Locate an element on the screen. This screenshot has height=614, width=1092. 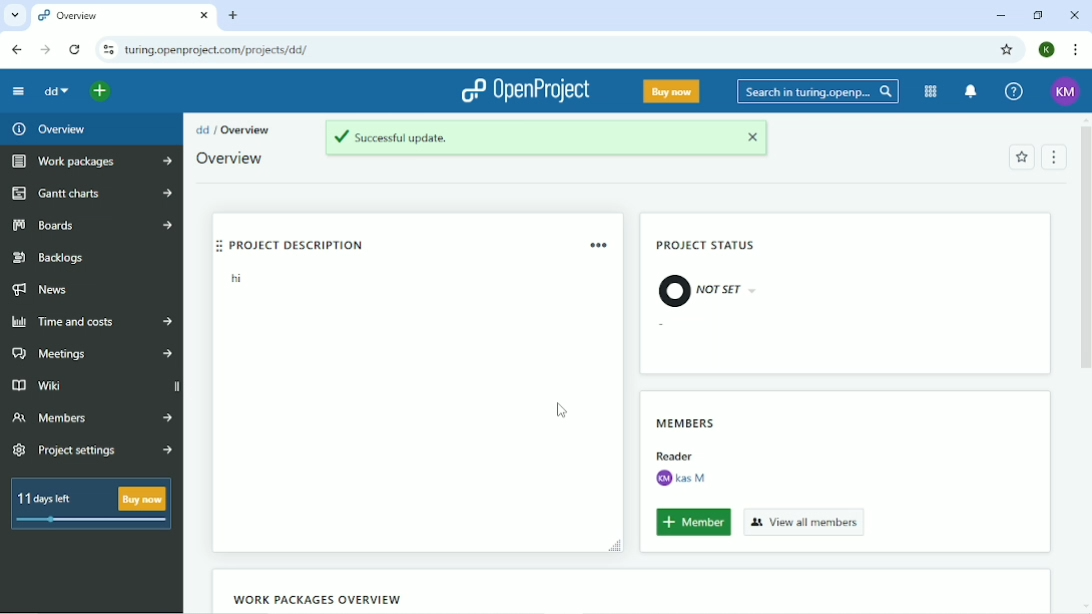
Wiki is located at coordinates (92, 384).